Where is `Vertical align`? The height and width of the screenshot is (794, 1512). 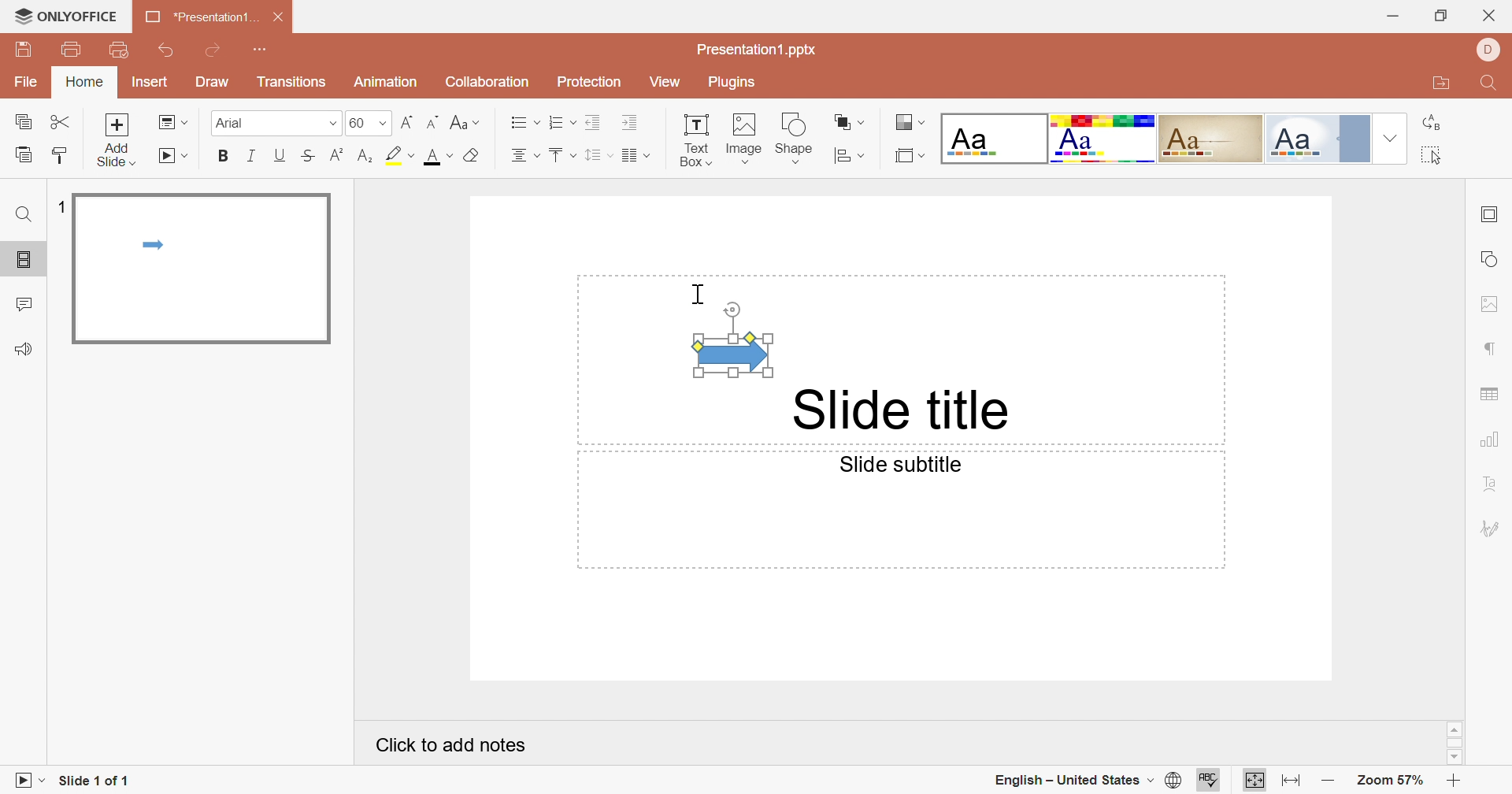 Vertical align is located at coordinates (562, 155).